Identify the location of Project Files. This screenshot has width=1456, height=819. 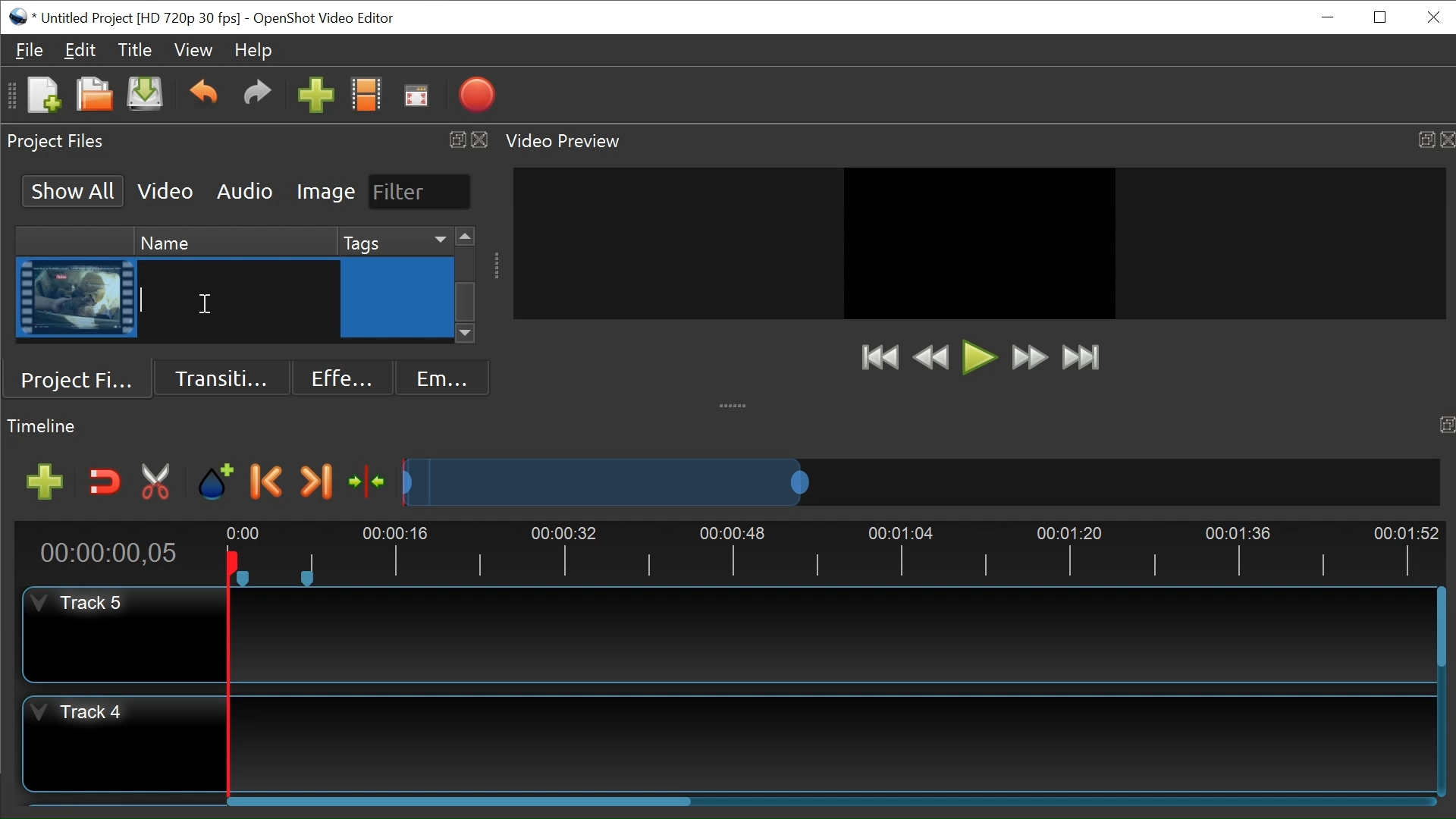
(83, 377).